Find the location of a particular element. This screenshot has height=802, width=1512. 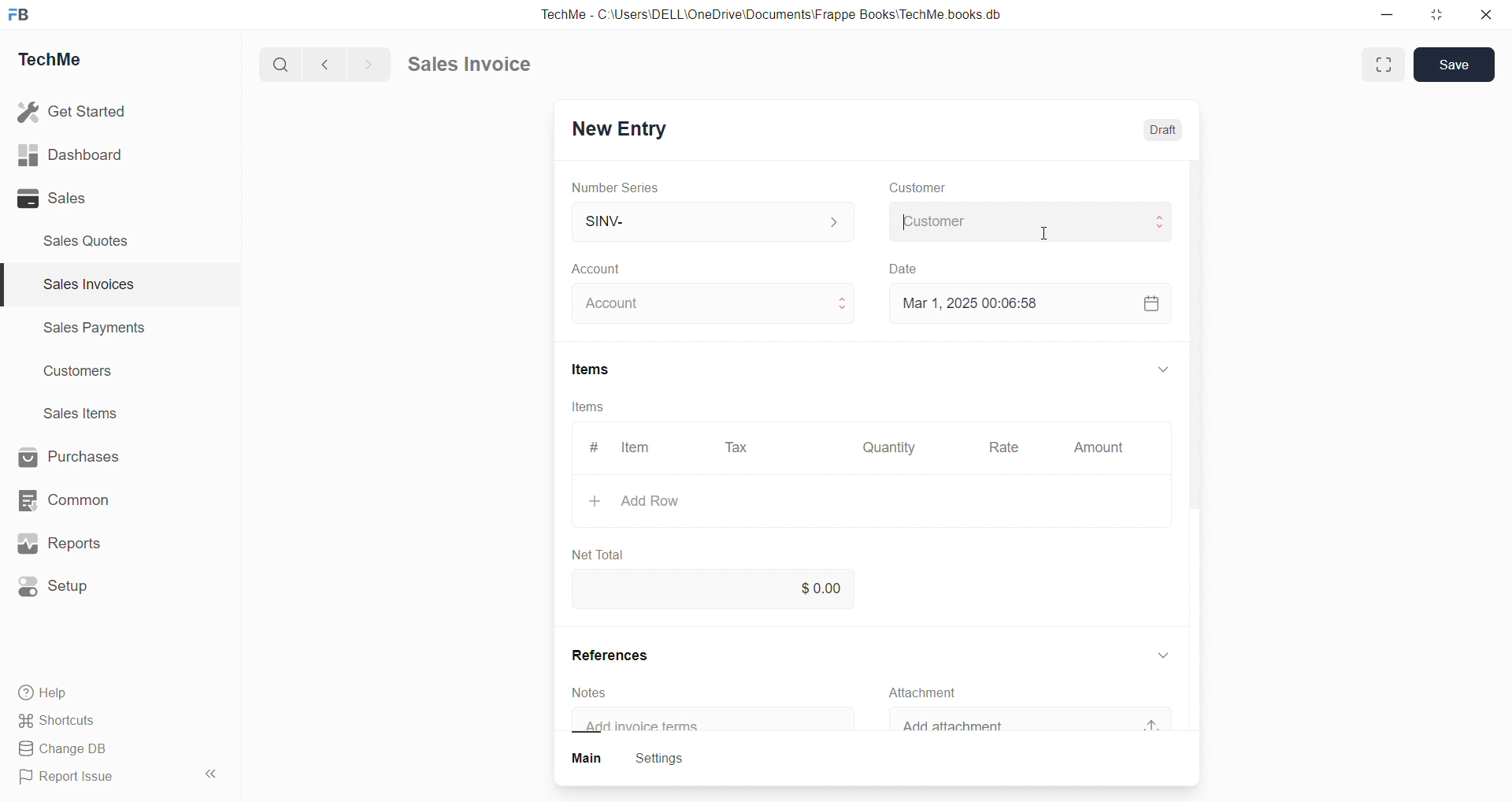

Mar 1, 2025 00:06:58 is located at coordinates (980, 302).